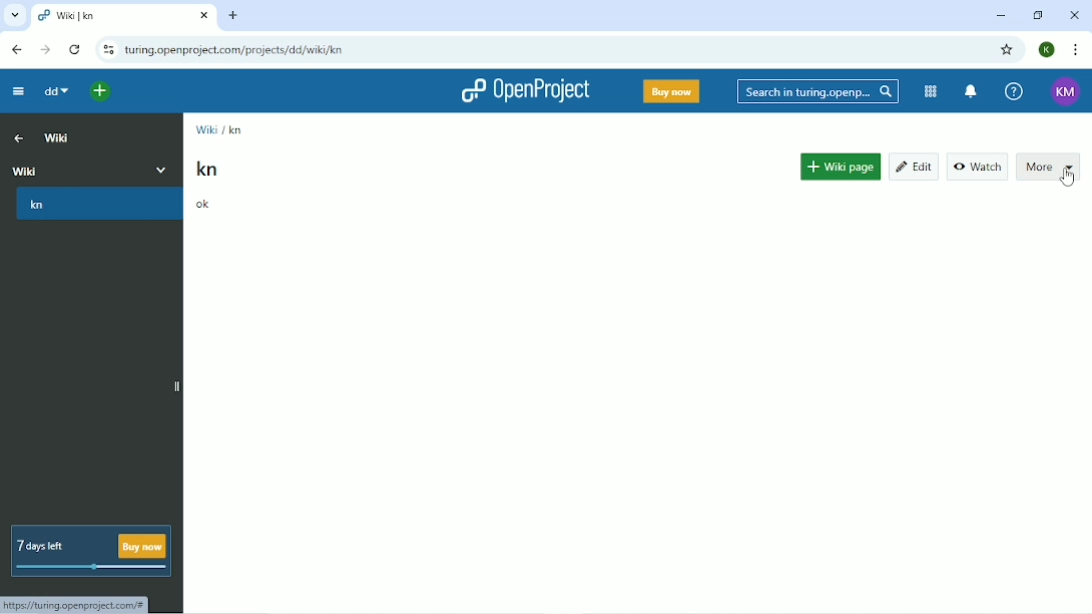 This screenshot has height=614, width=1092. Describe the element at coordinates (818, 92) in the screenshot. I see `Search` at that location.